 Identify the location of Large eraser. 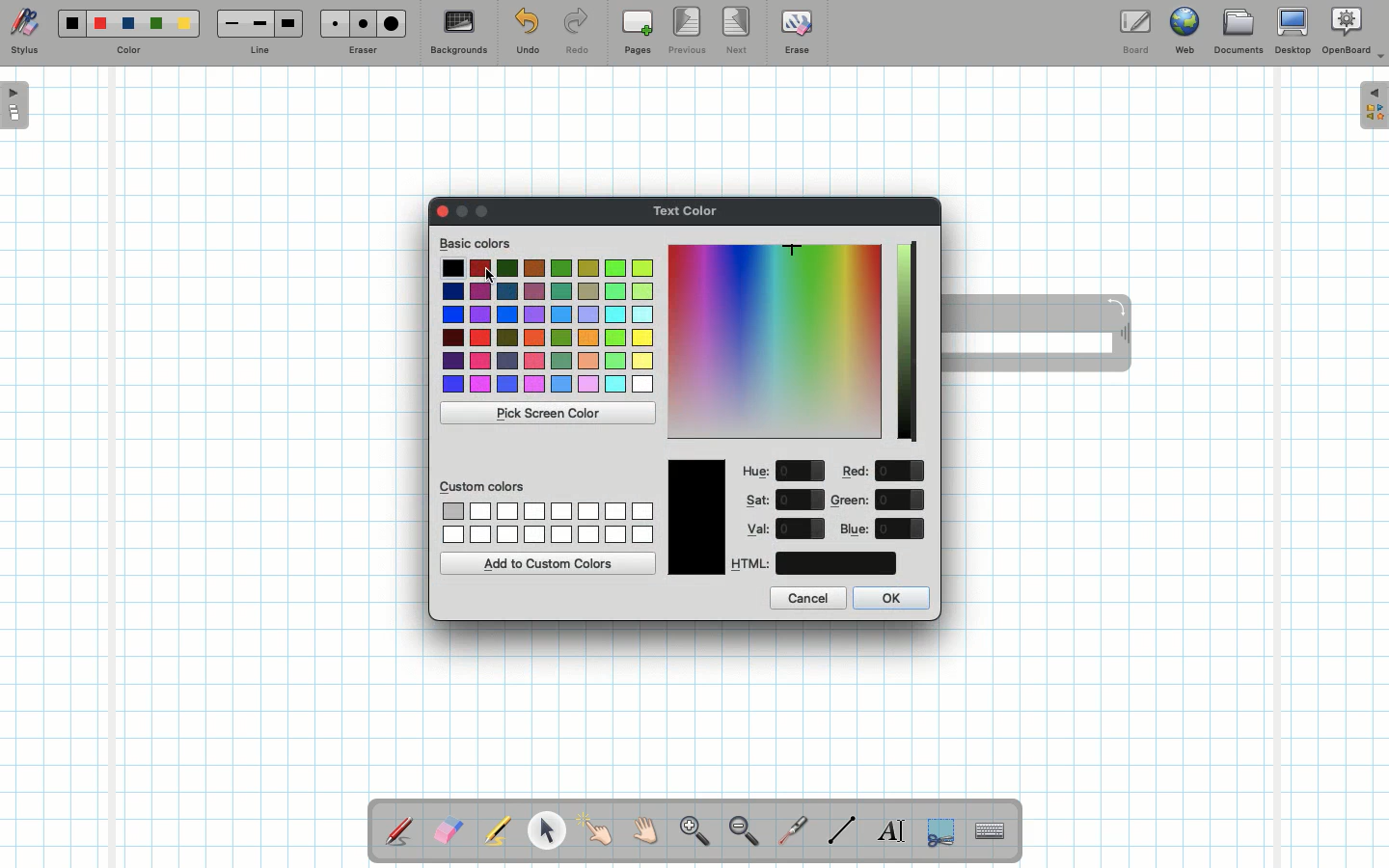
(392, 23).